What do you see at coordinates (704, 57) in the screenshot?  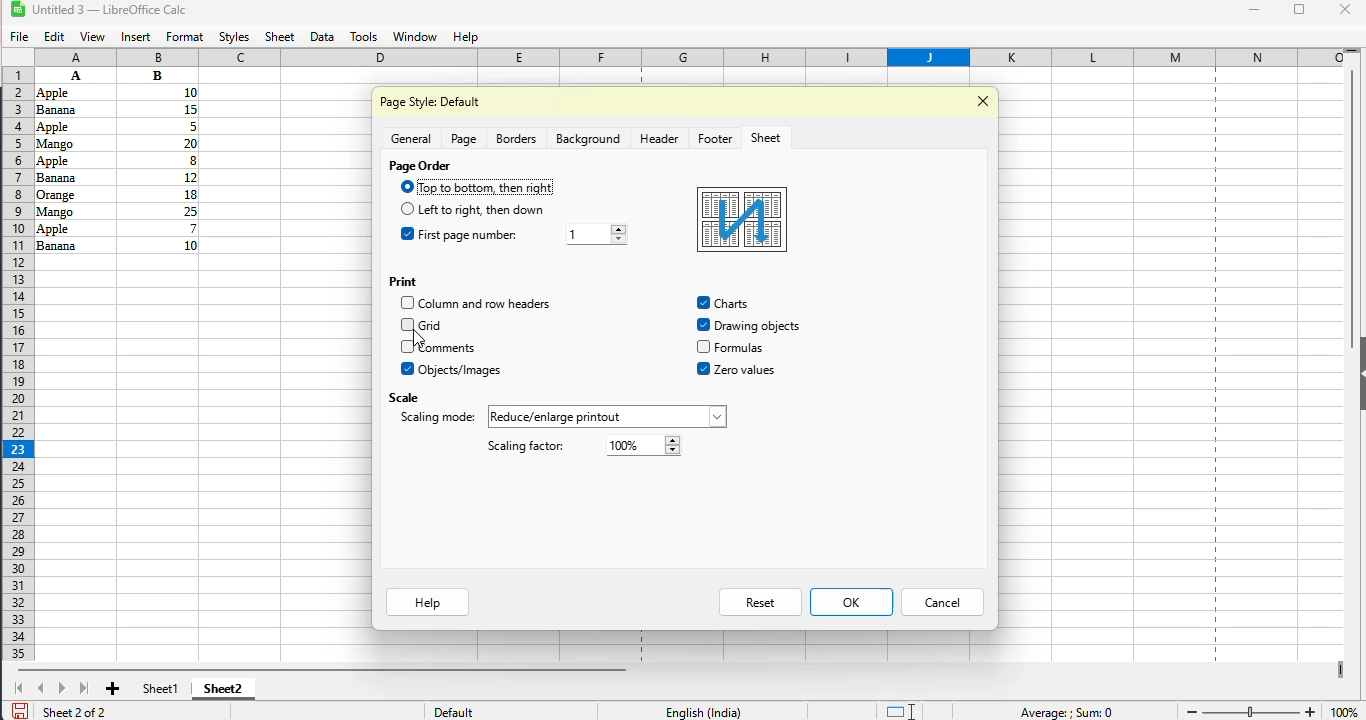 I see `columns` at bounding box center [704, 57].